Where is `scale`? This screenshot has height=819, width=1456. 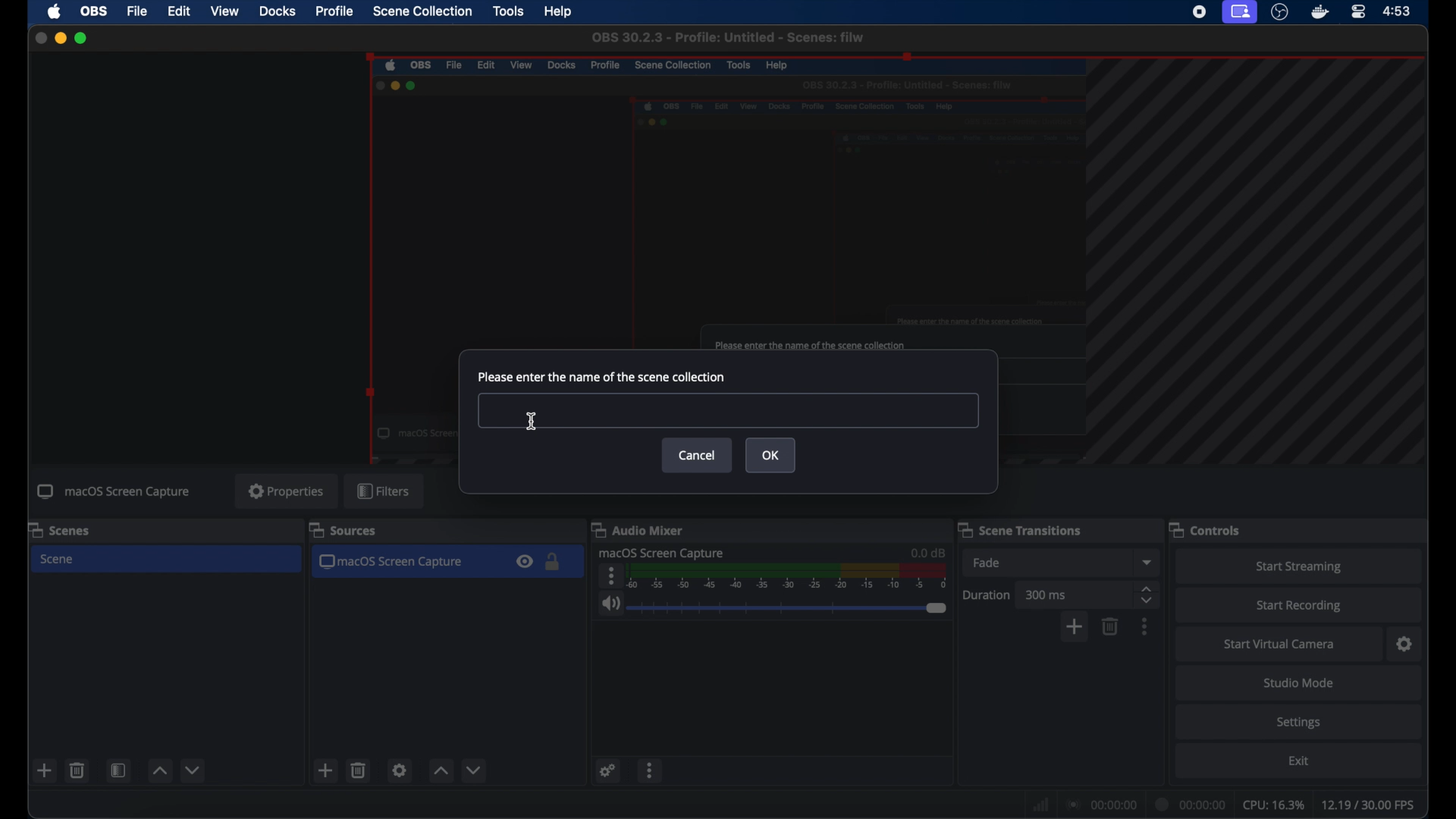 scale is located at coordinates (789, 576).